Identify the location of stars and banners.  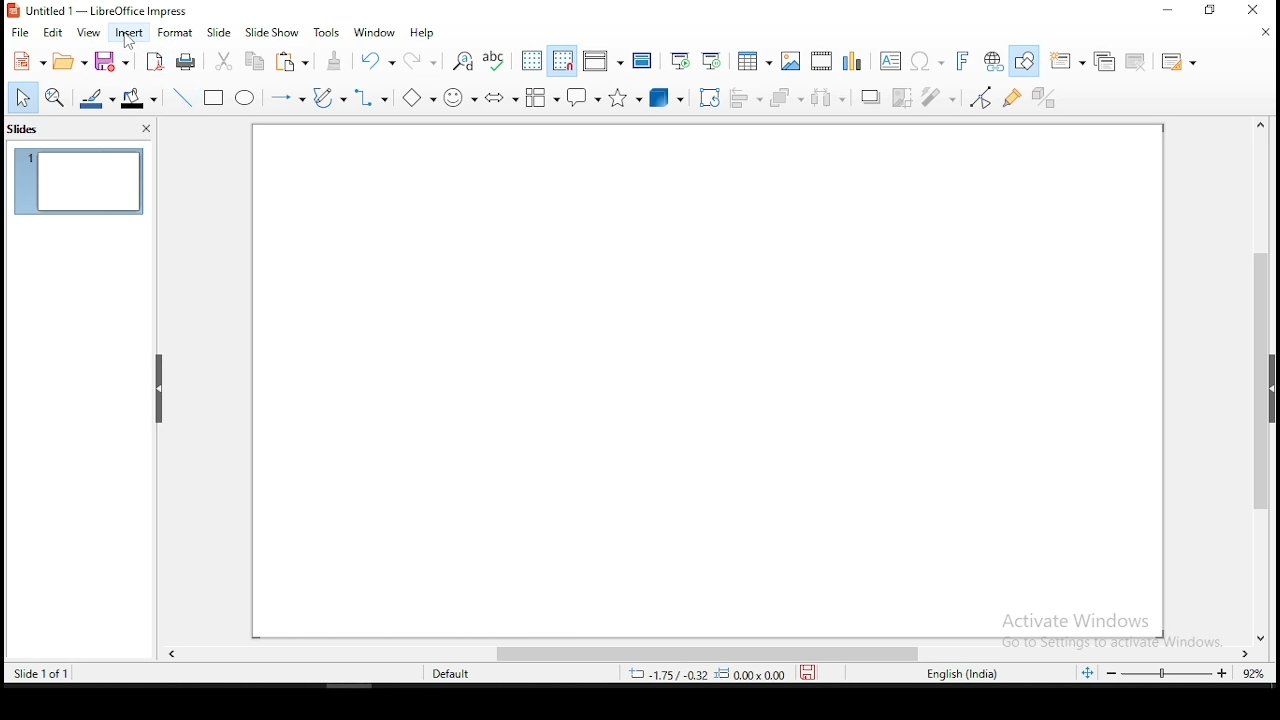
(628, 95).